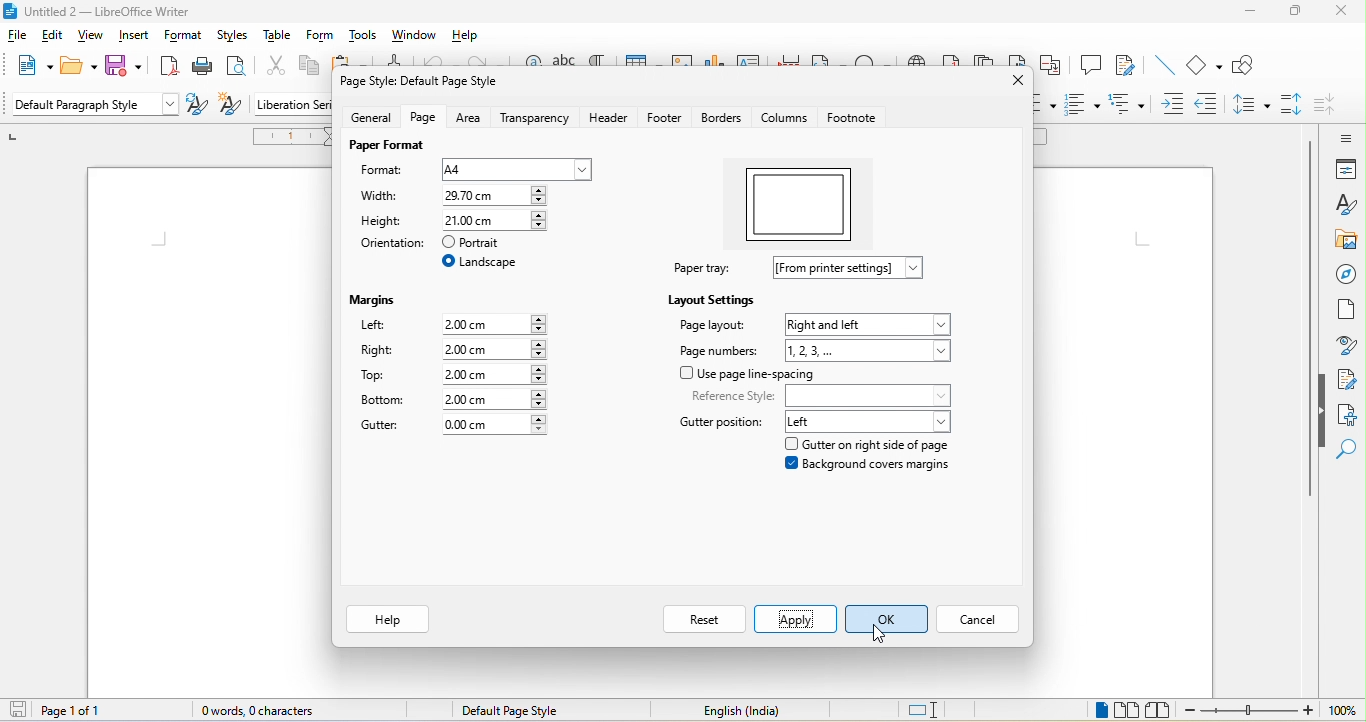 This screenshot has width=1366, height=722. Describe the element at coordinates (195, 106) in the screenshot. I see `update selected style` at that location.